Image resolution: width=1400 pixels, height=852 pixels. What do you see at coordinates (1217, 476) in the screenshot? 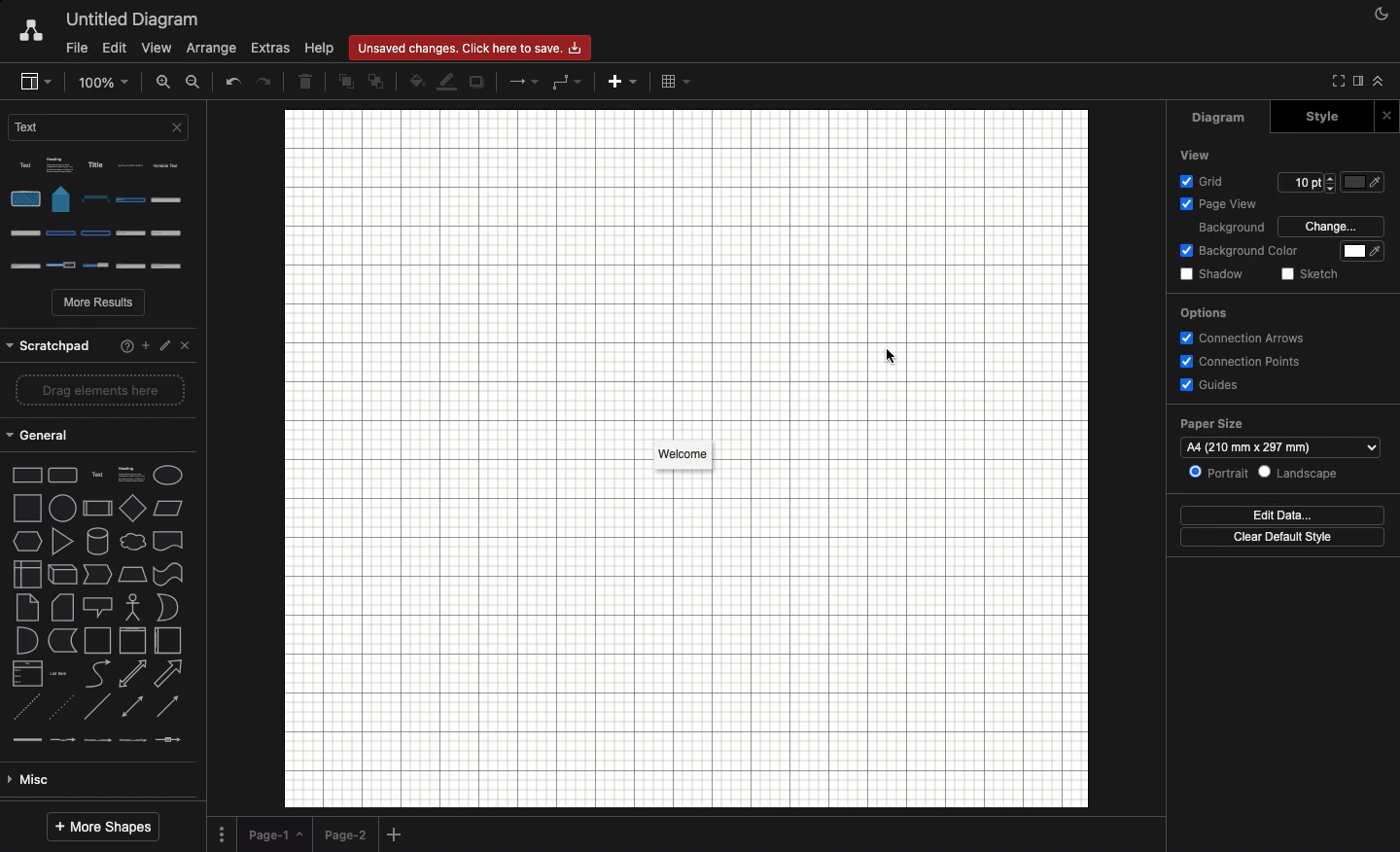
I see `` at bounding box center [1217, 476].